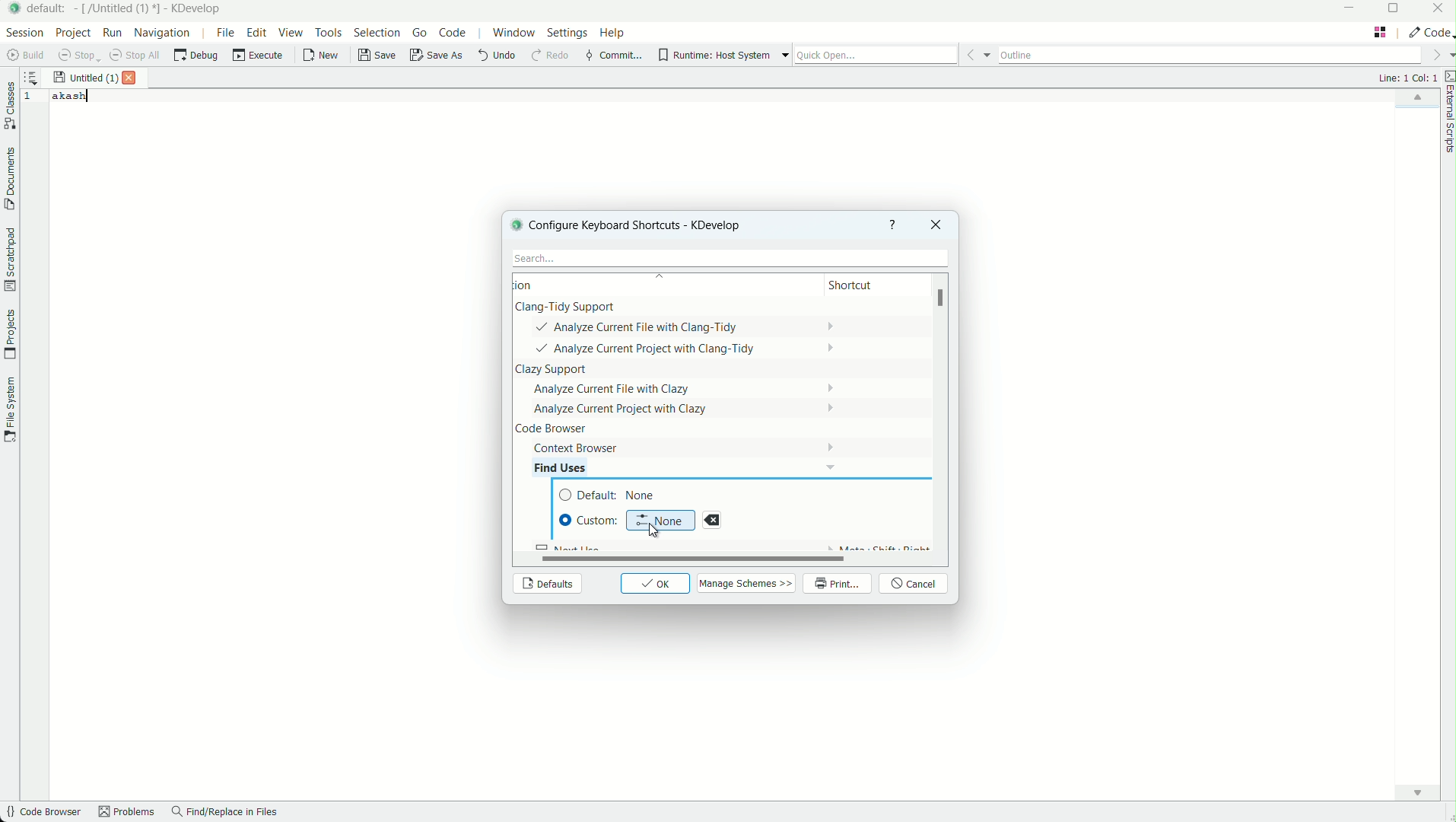 This screenshot has width=1456, height=822. I want to click on actions, so click(669, 378).